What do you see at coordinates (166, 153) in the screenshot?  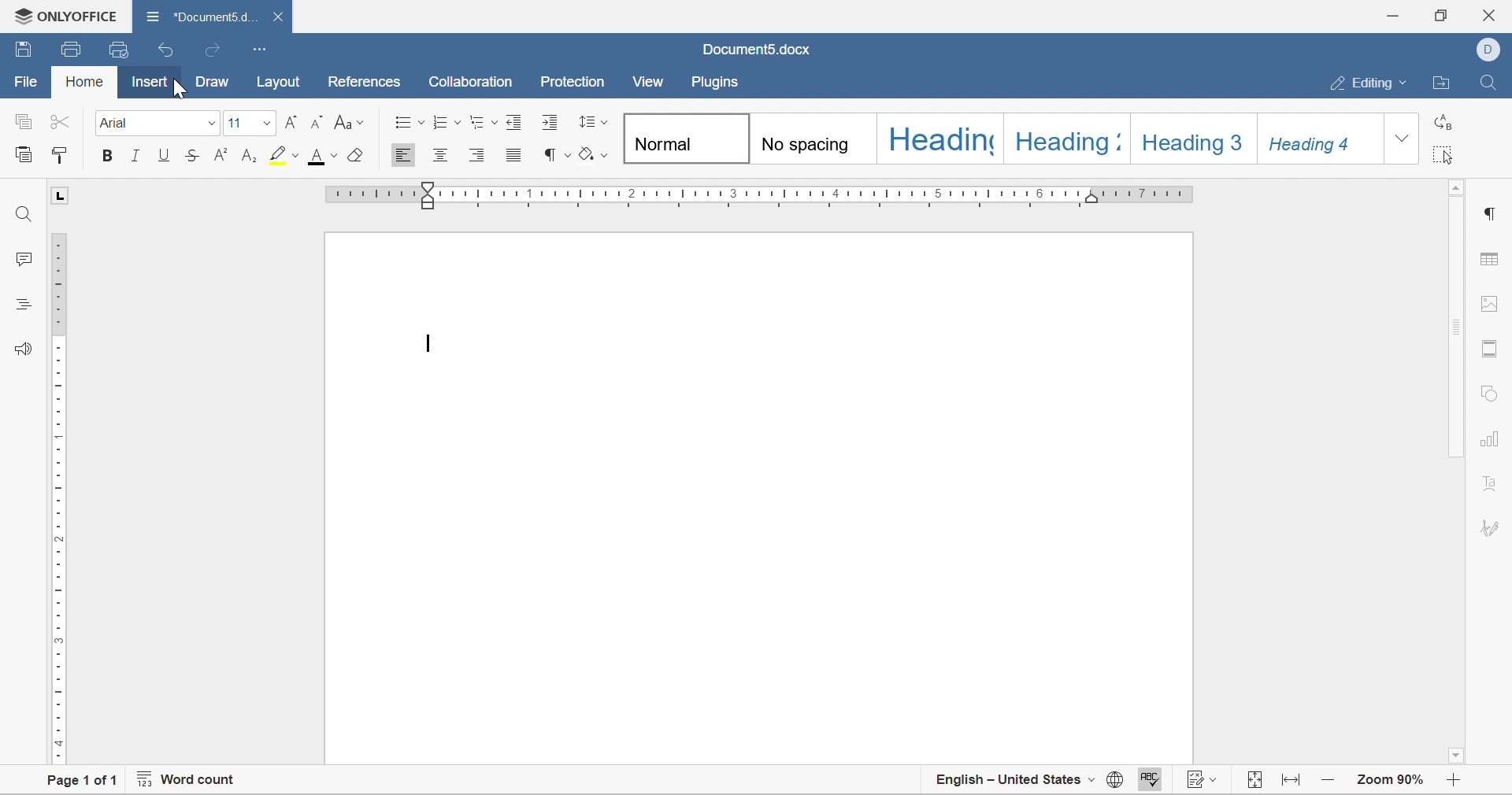 I see `underline` at bounding box center [166, 153].